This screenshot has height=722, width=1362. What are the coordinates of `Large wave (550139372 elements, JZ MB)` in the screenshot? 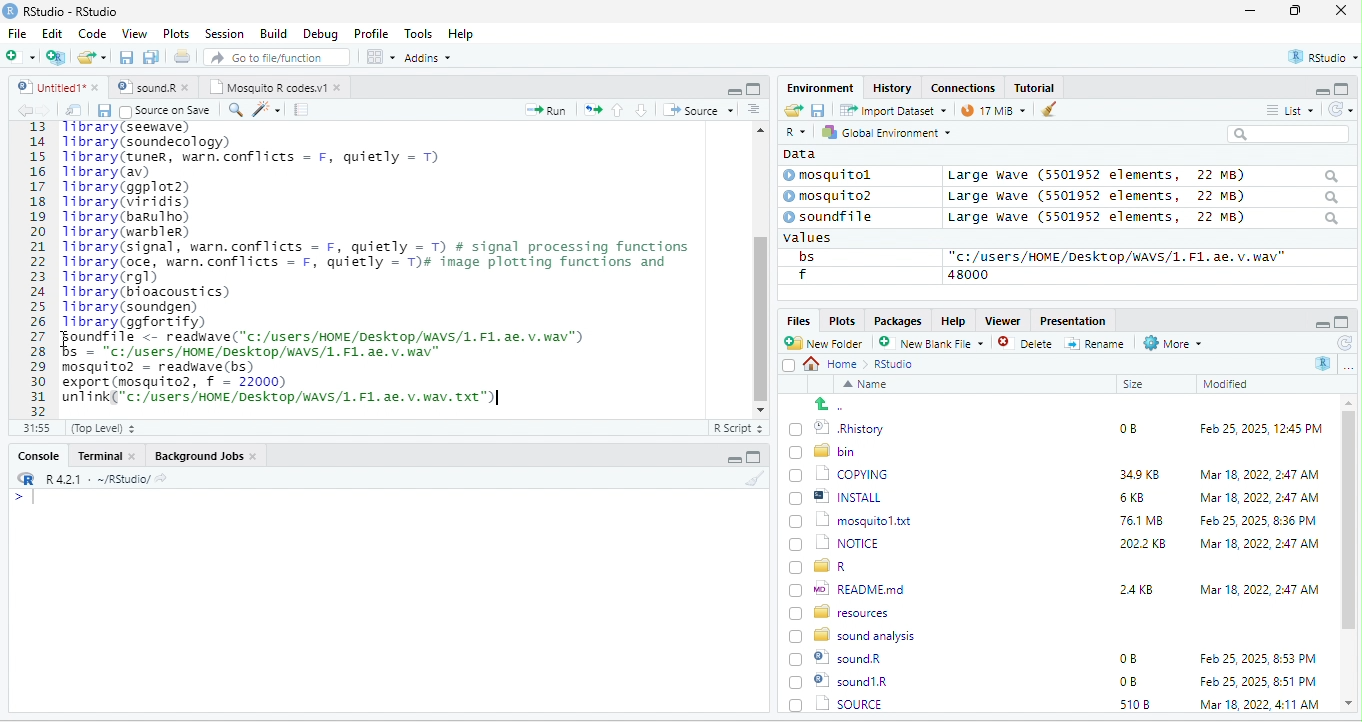 It's located at (1145, 196).